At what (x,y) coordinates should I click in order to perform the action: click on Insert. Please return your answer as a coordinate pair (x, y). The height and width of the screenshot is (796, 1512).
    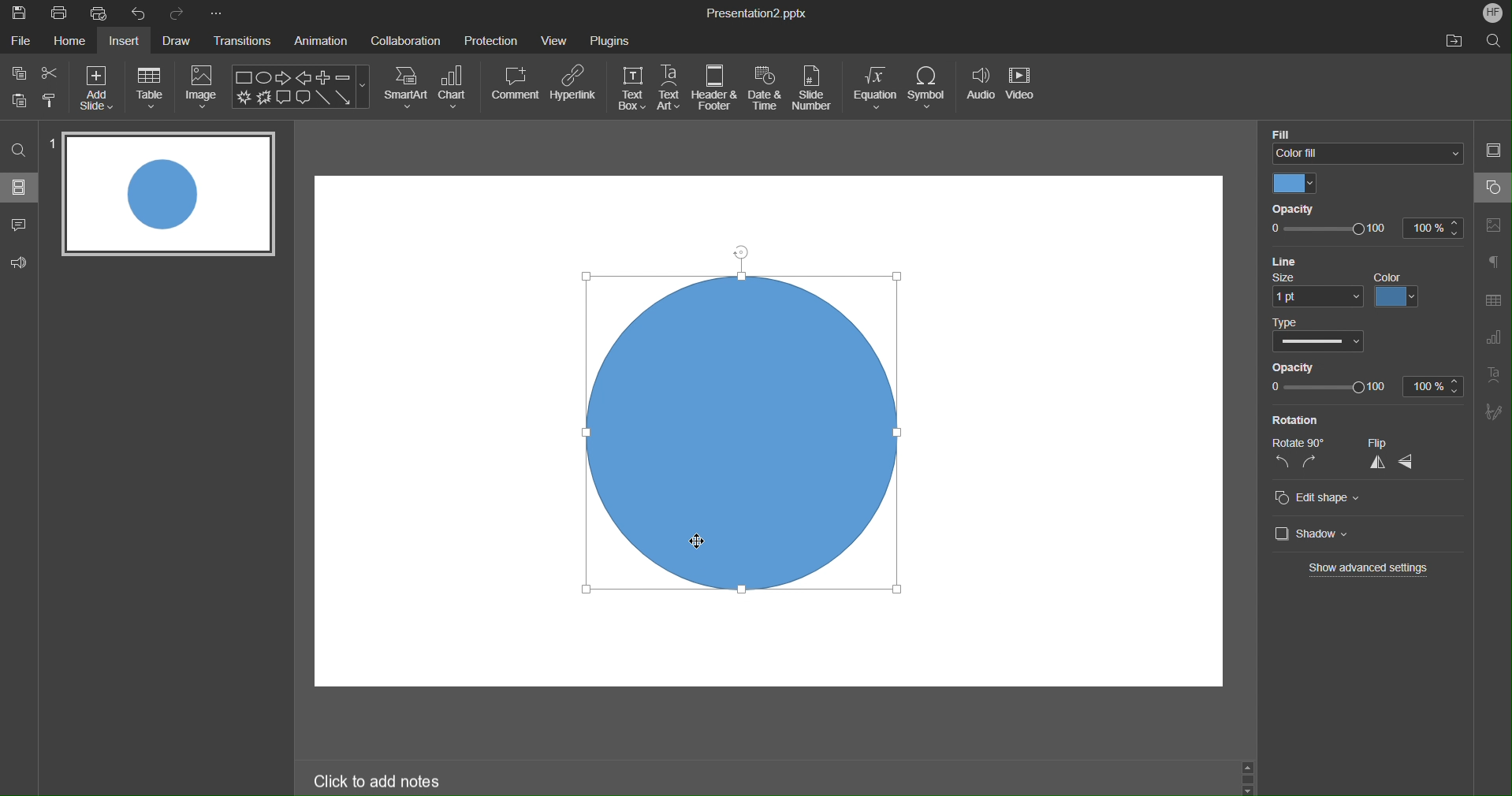
    Looking at the image, I should click on (128, 42).